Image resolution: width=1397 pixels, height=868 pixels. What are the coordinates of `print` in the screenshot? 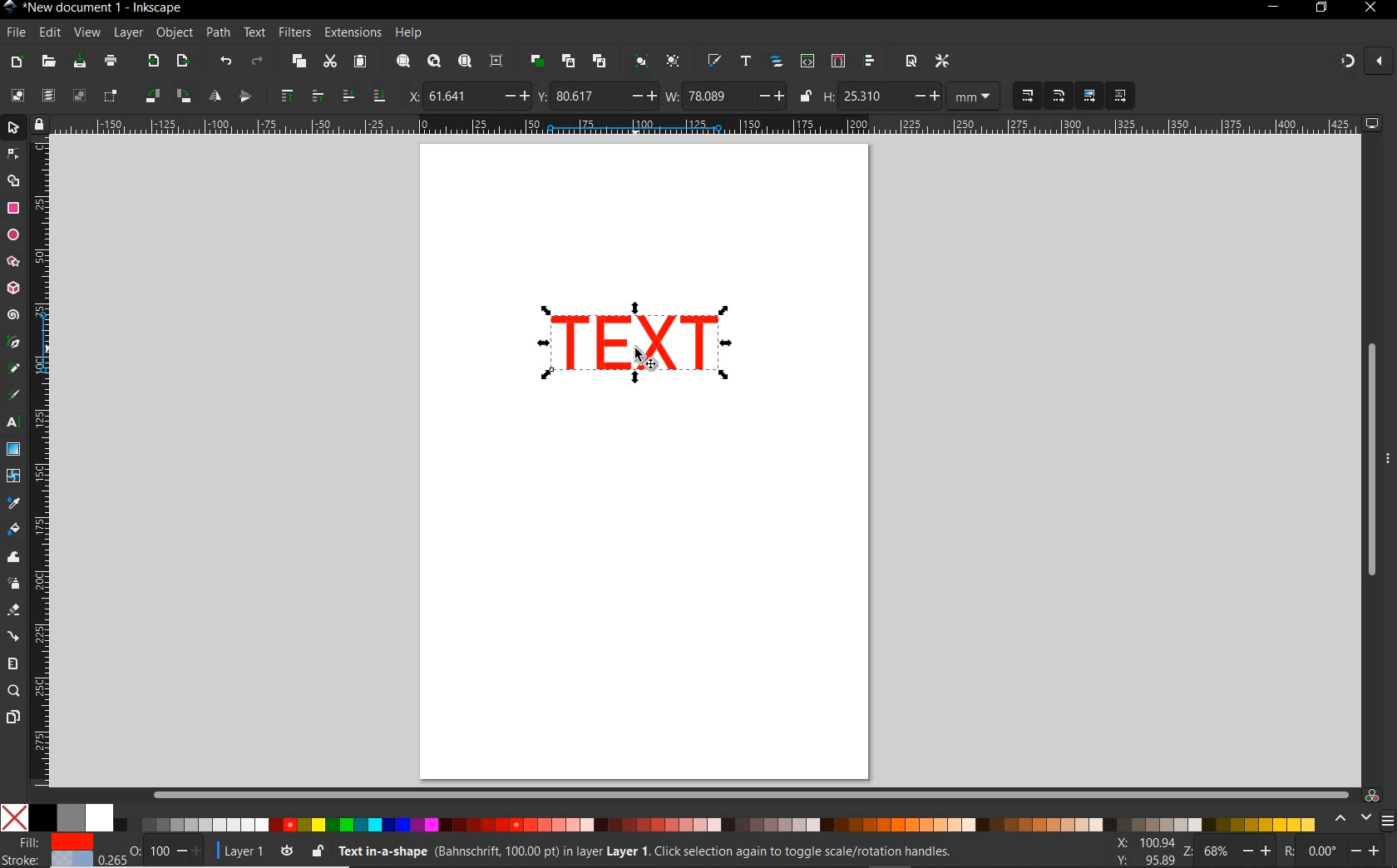 It's located at (109, 62).